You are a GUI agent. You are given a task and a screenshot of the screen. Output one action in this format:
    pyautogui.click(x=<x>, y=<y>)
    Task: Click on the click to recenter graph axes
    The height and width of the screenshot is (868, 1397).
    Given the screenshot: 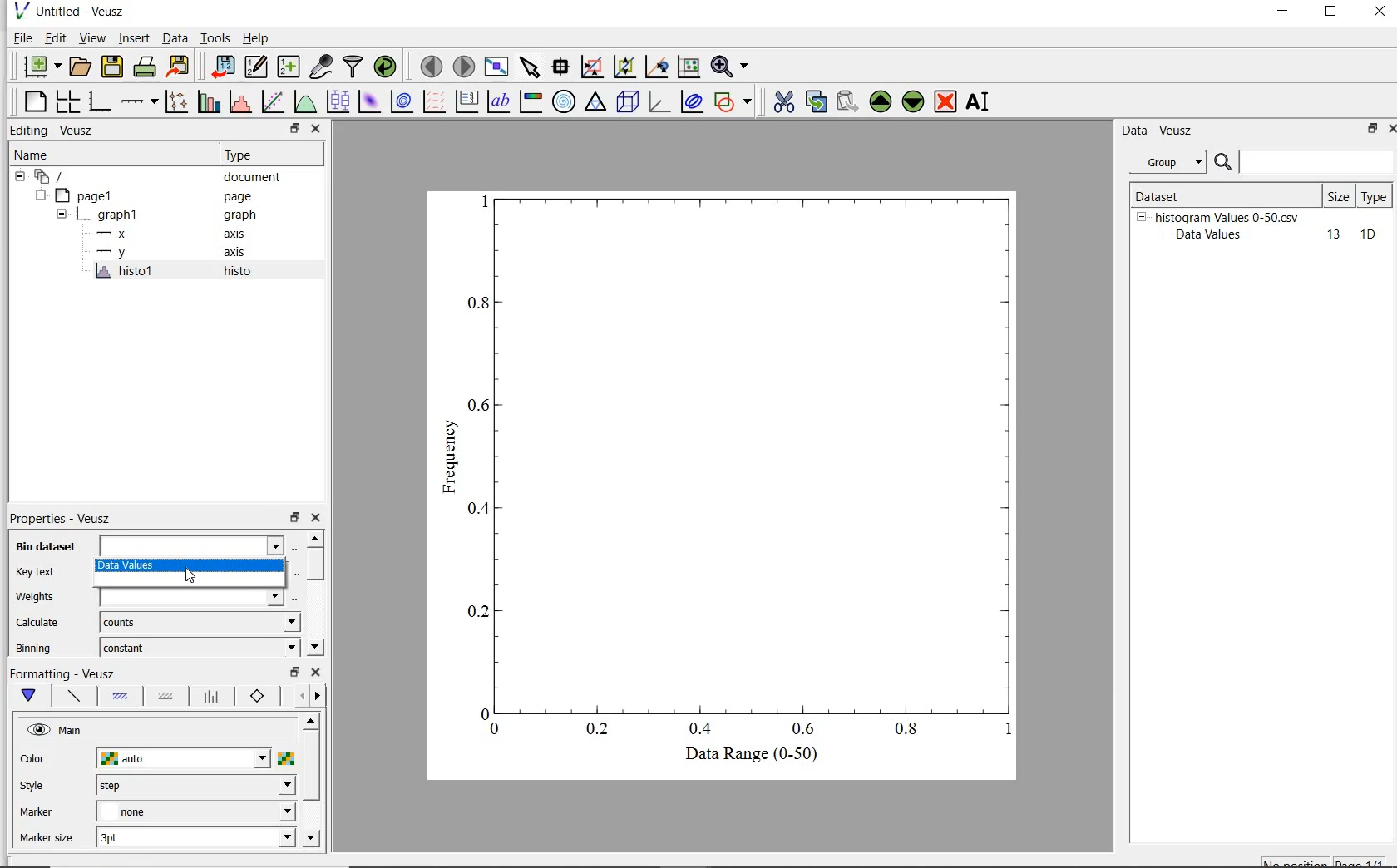 What is the action you would take?
    pyautogui.click(x=688, y=67)
    